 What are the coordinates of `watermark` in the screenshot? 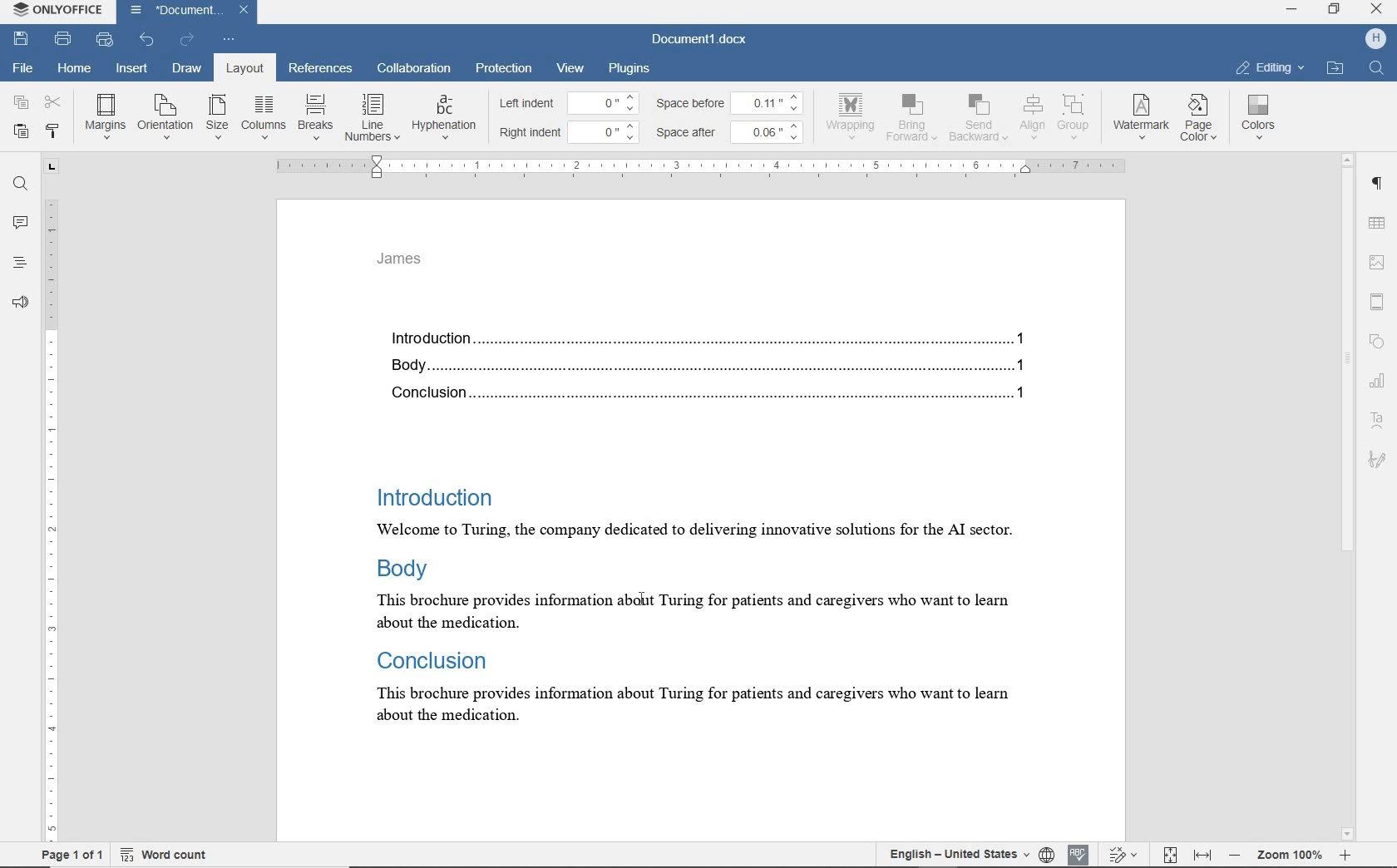 It's located at (1143, 118).